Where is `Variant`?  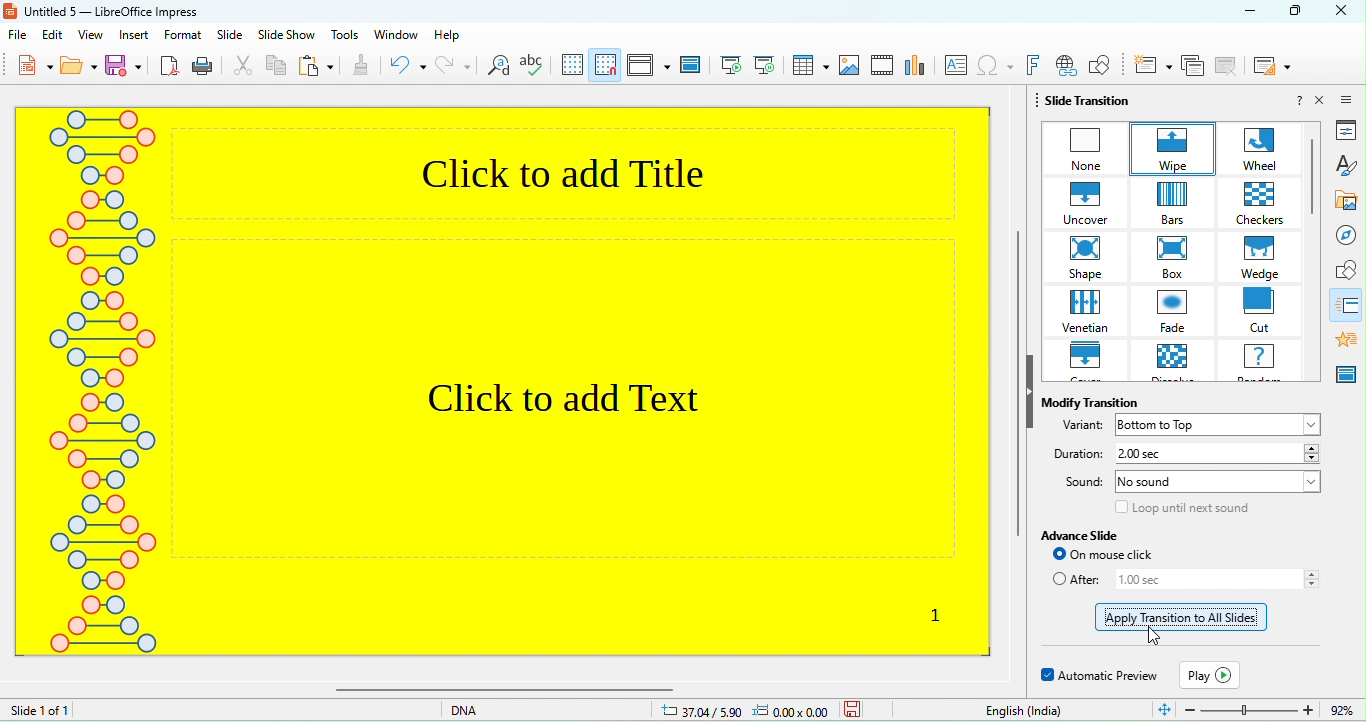
Variant is located at coordinates (1079, 424).